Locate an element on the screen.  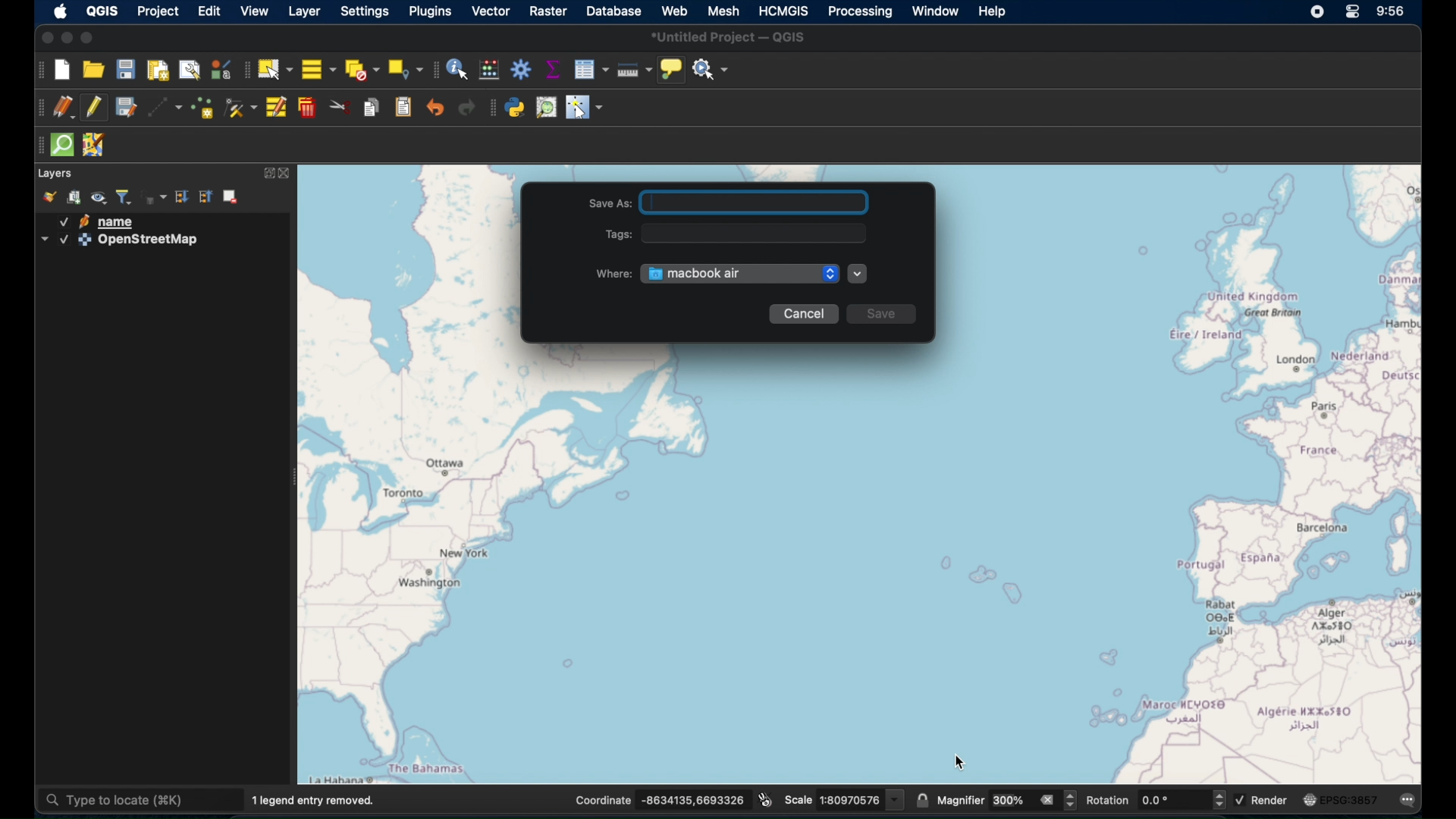
raster is located at coordinates (548, 11).